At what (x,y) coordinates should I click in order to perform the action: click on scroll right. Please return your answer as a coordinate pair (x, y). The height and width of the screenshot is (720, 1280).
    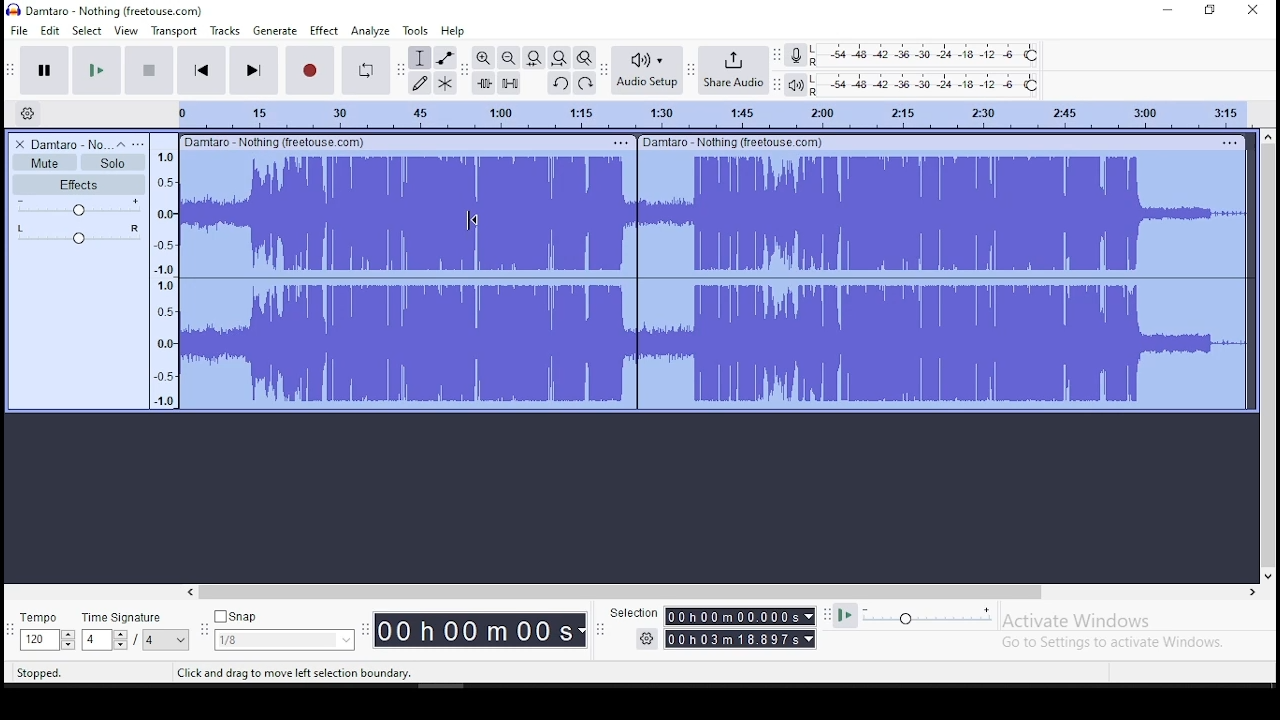
    Looking at the image, I should click on (1251, 592).